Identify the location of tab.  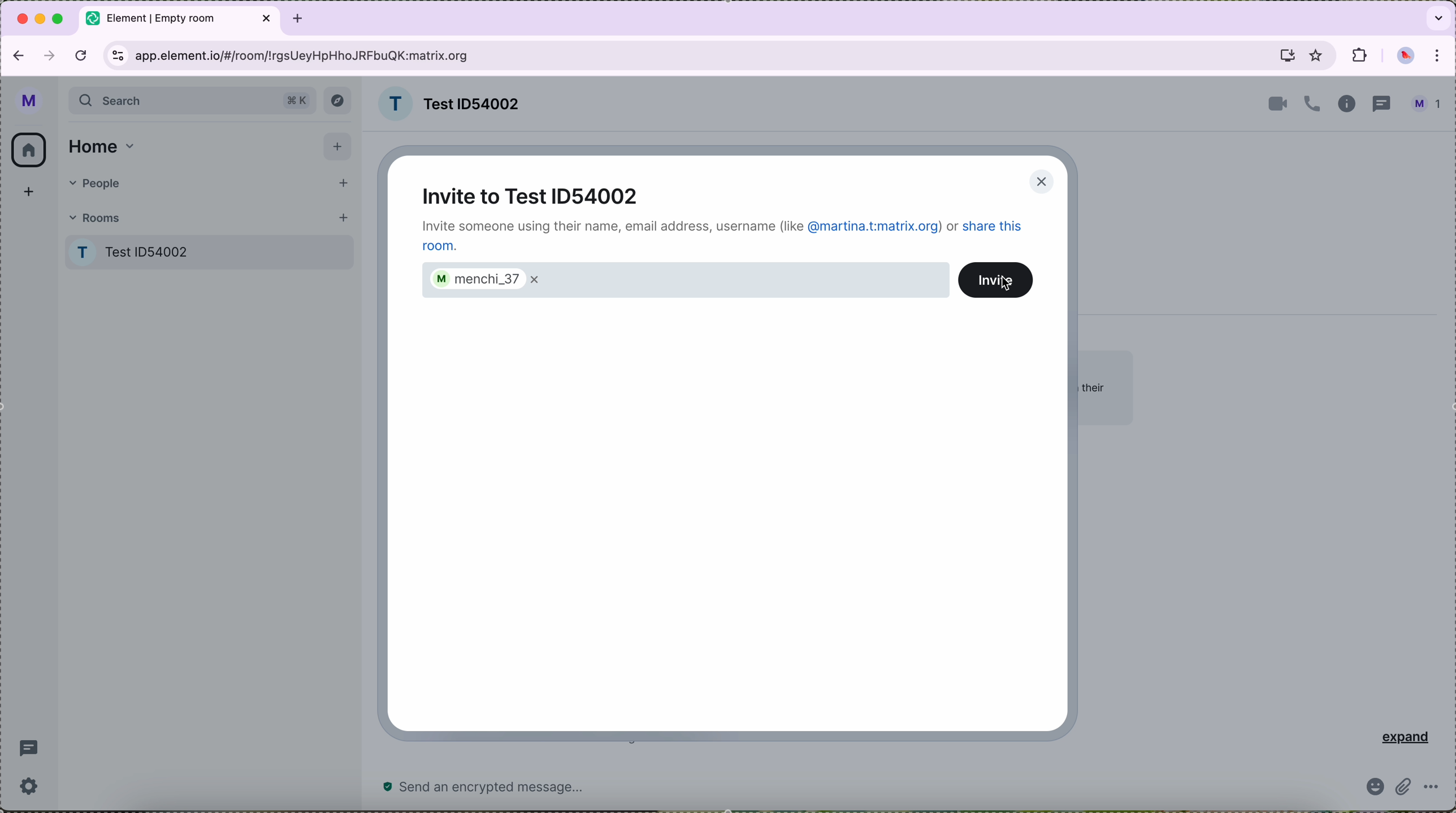
(181, 19).